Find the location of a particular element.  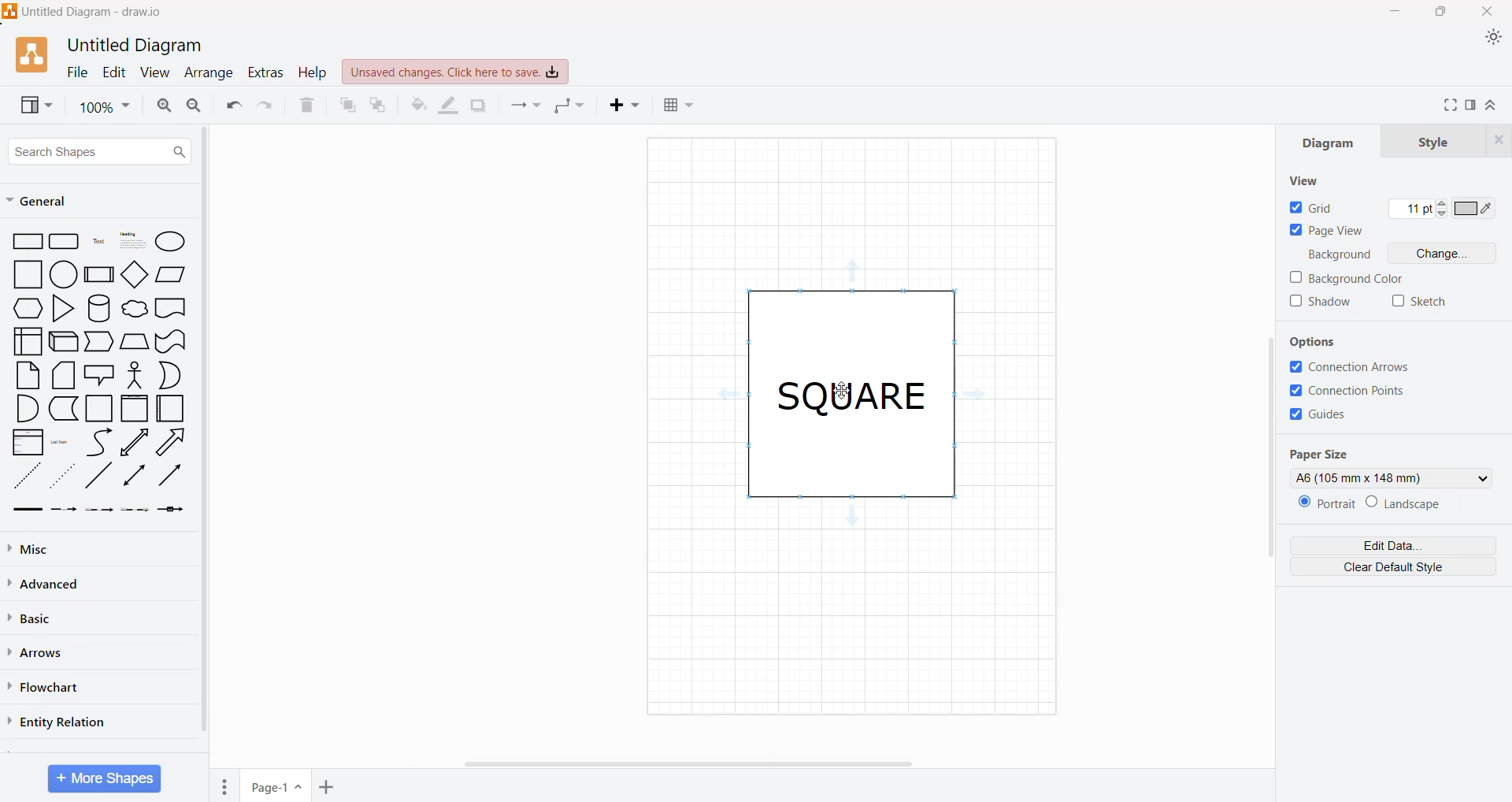

Sketch - click to enable/disable is located at coordinates (1420, 302).